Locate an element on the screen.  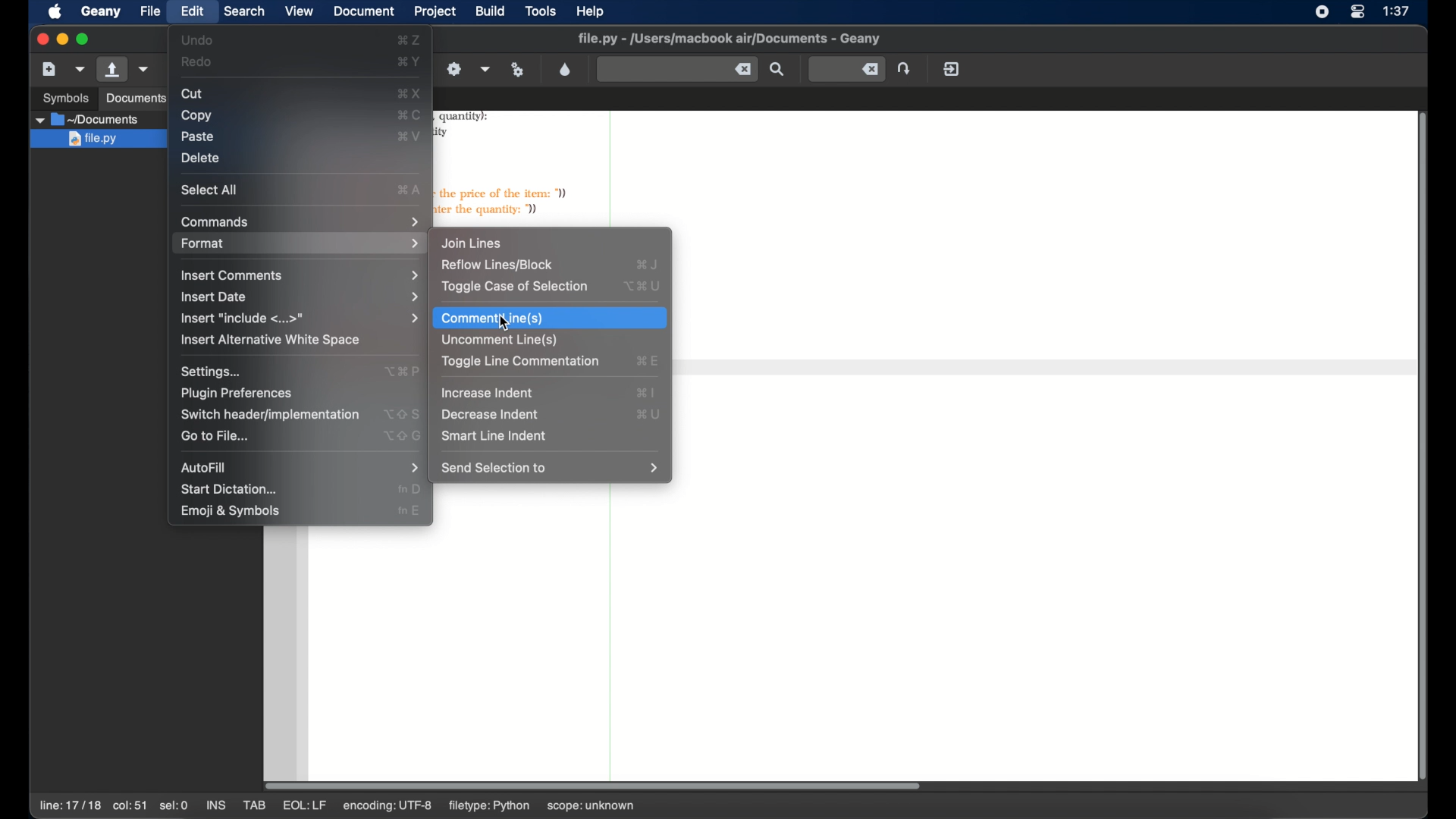
search is located at coordinates (244, 11).